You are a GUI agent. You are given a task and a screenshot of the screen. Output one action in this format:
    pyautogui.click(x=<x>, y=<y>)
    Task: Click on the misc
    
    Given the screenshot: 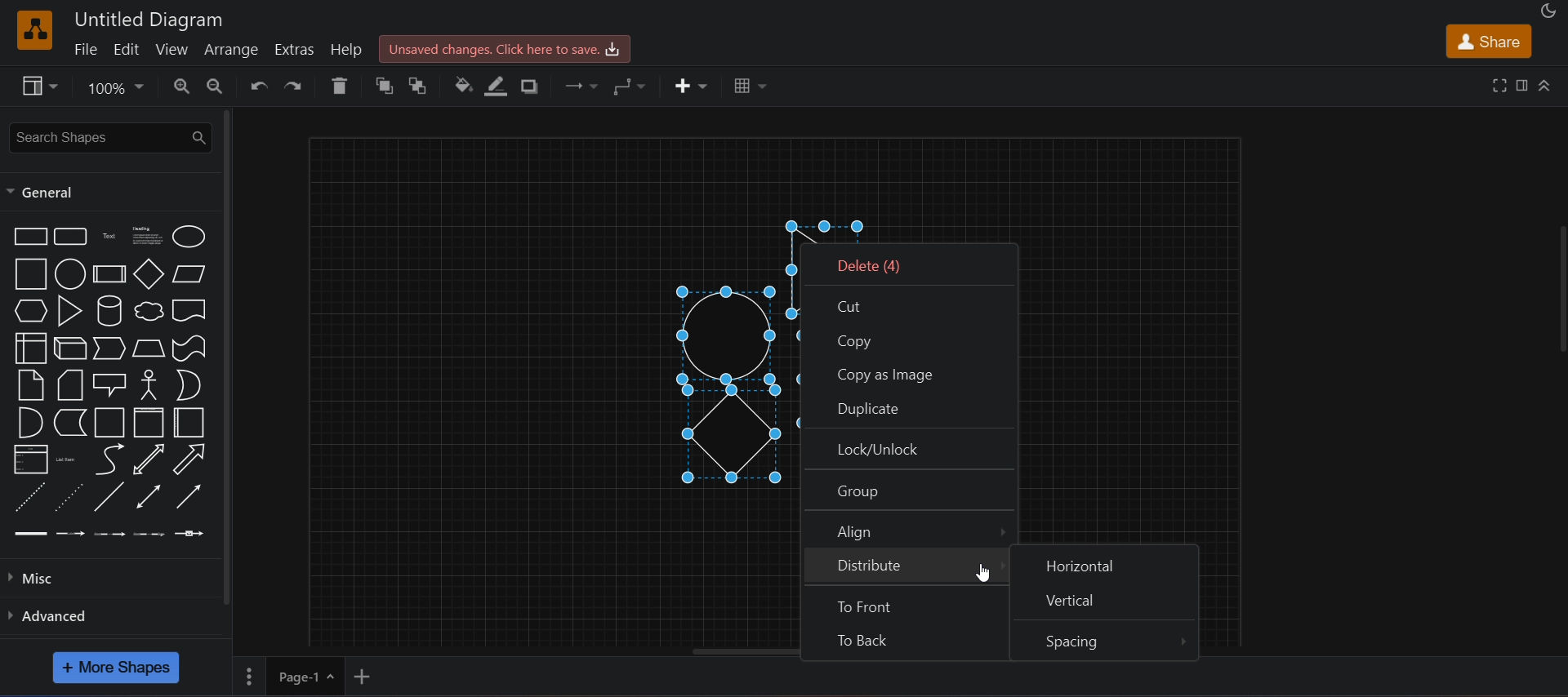 What is the action you would take?
    pyautogui.click(x=37, y=580)
    